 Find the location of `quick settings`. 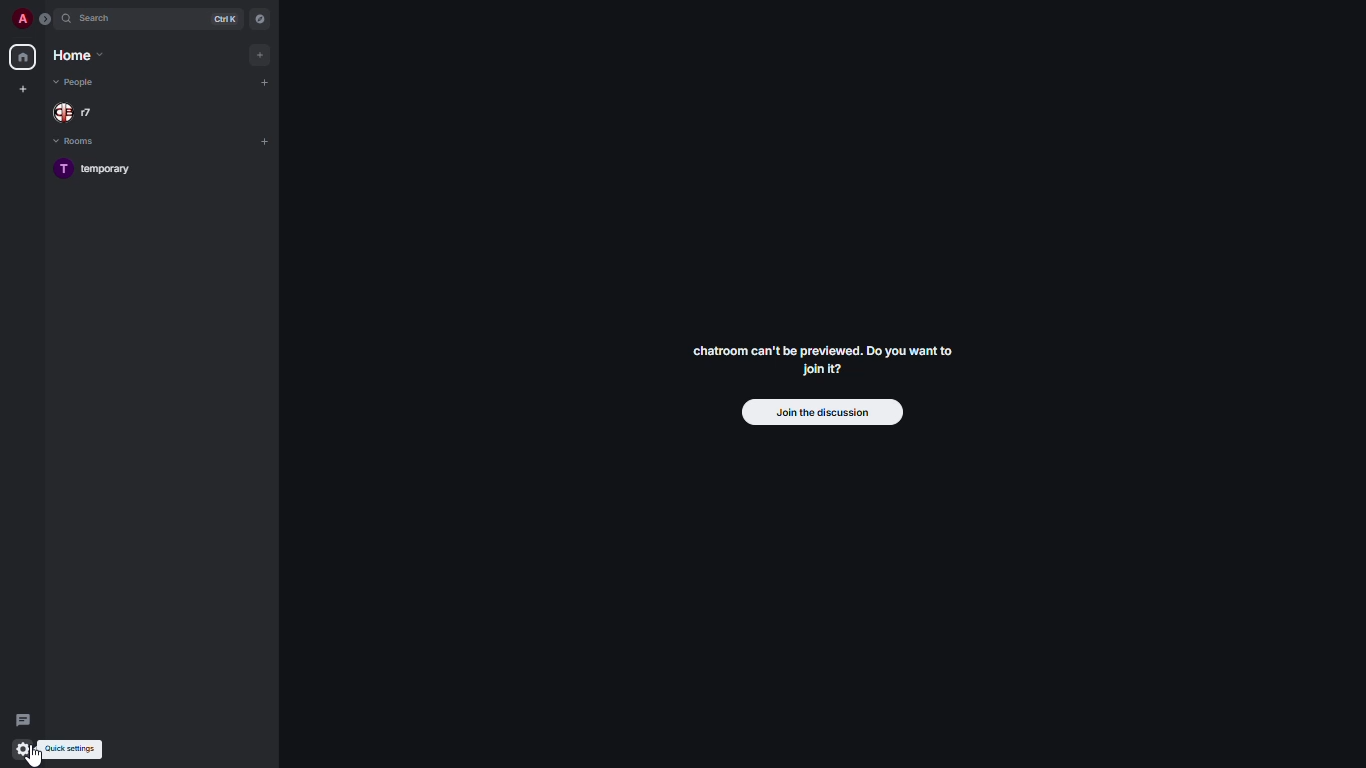

quick settings is located at coordinates (73, 750).